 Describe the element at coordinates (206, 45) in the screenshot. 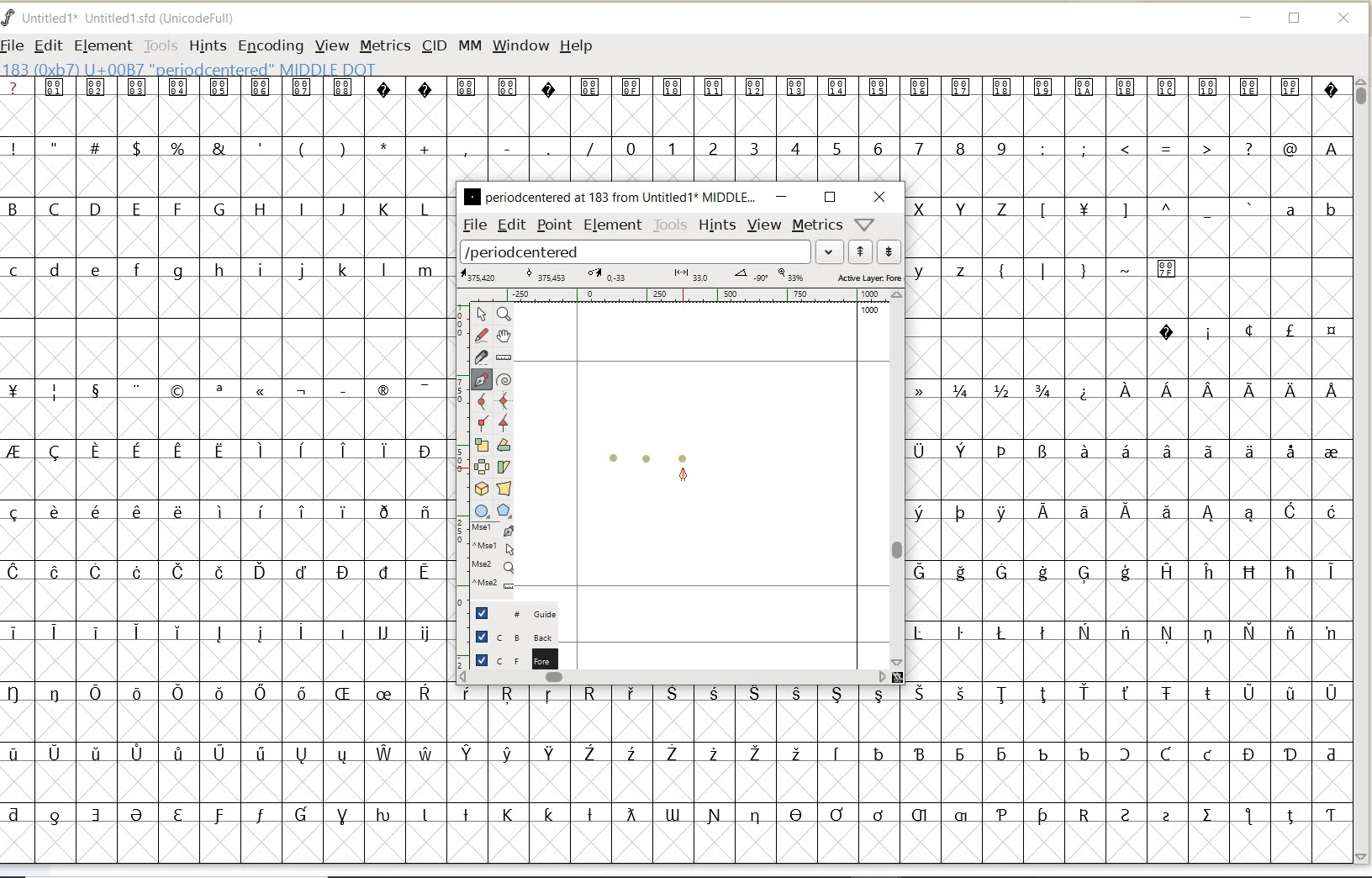

I see `HINTS` at that location.